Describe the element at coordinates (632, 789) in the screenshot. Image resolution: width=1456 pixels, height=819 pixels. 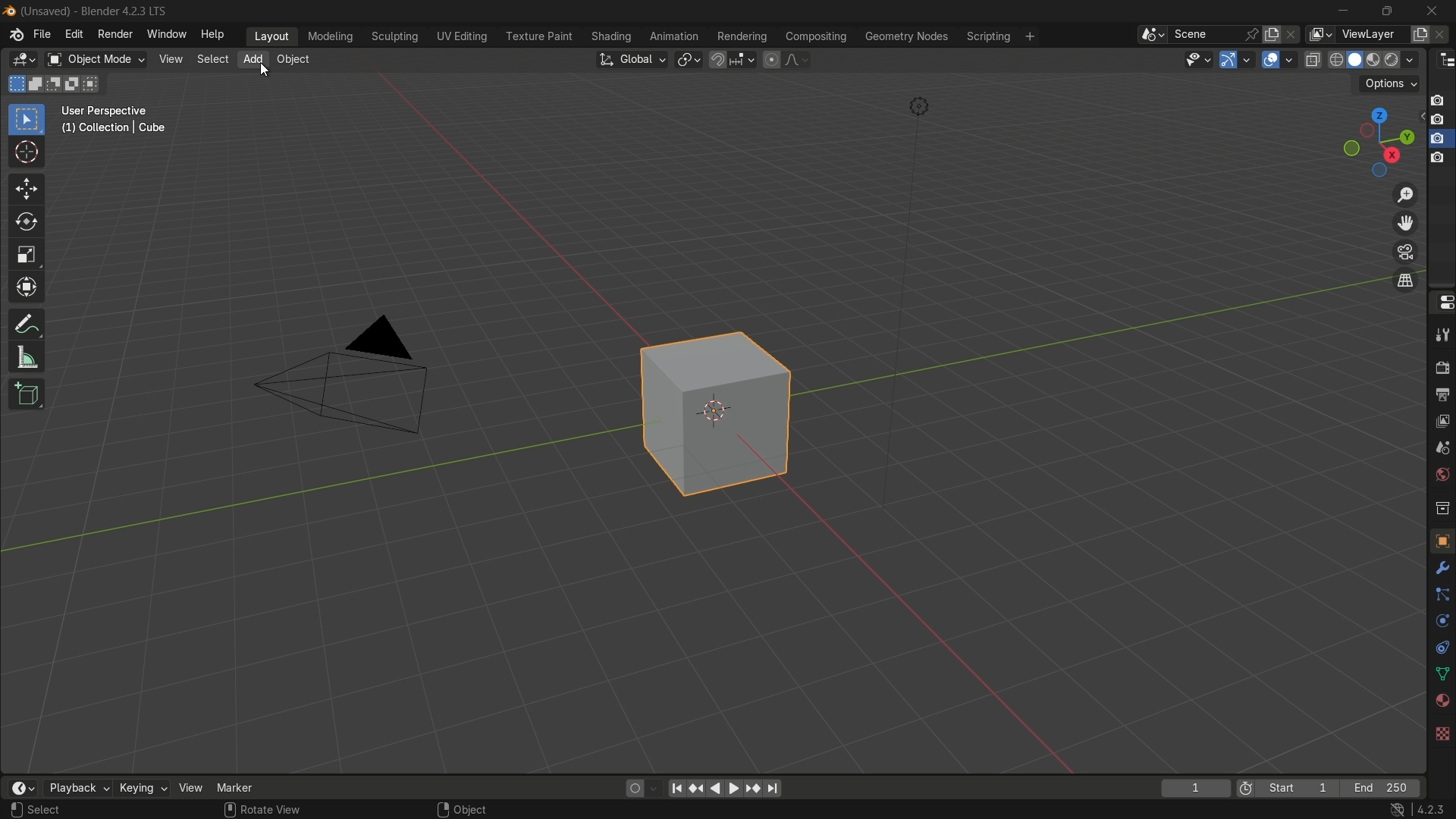
I see `auto keying` at that location.